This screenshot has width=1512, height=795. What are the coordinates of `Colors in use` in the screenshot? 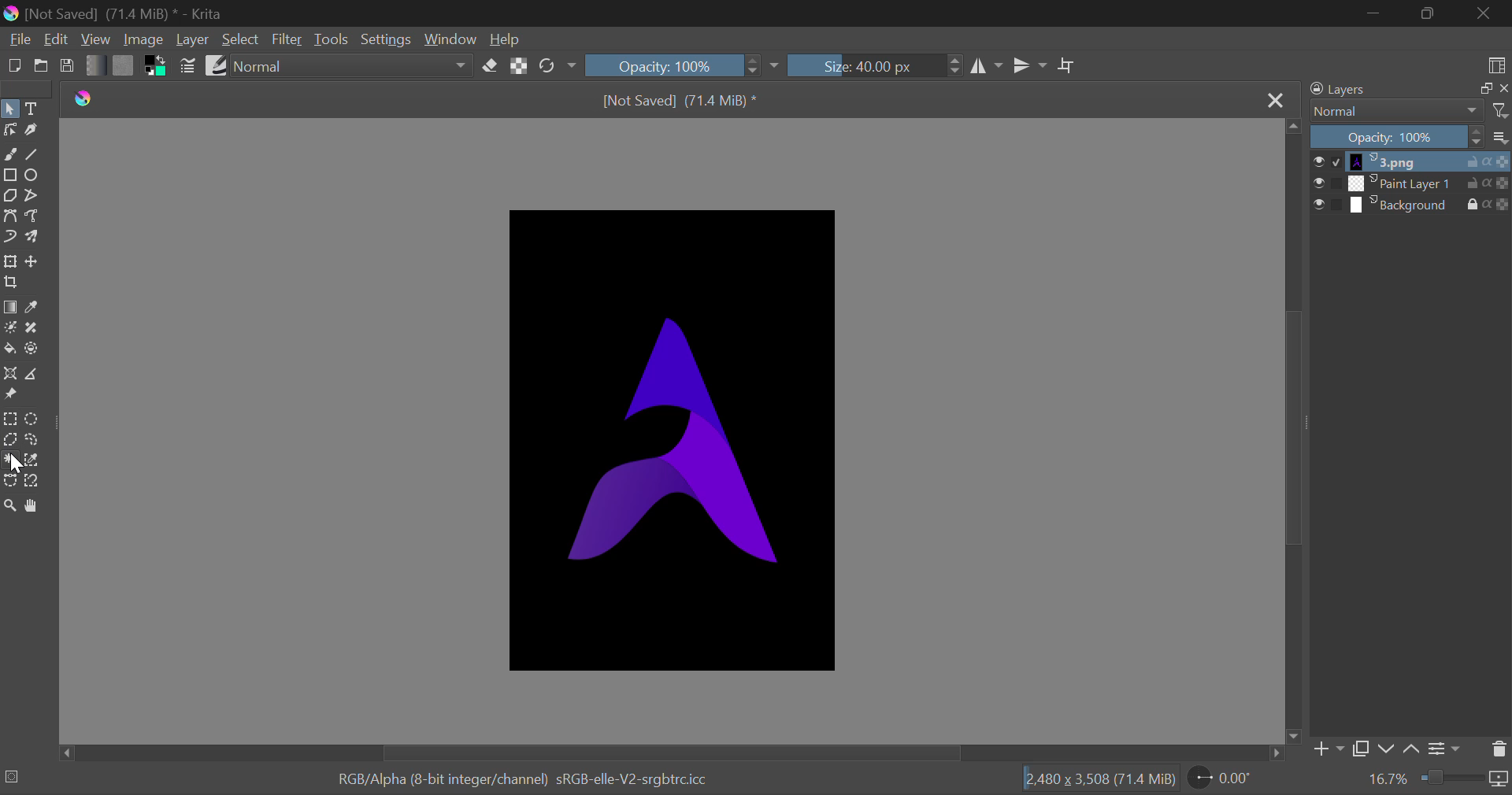 It's located at (157, 66).